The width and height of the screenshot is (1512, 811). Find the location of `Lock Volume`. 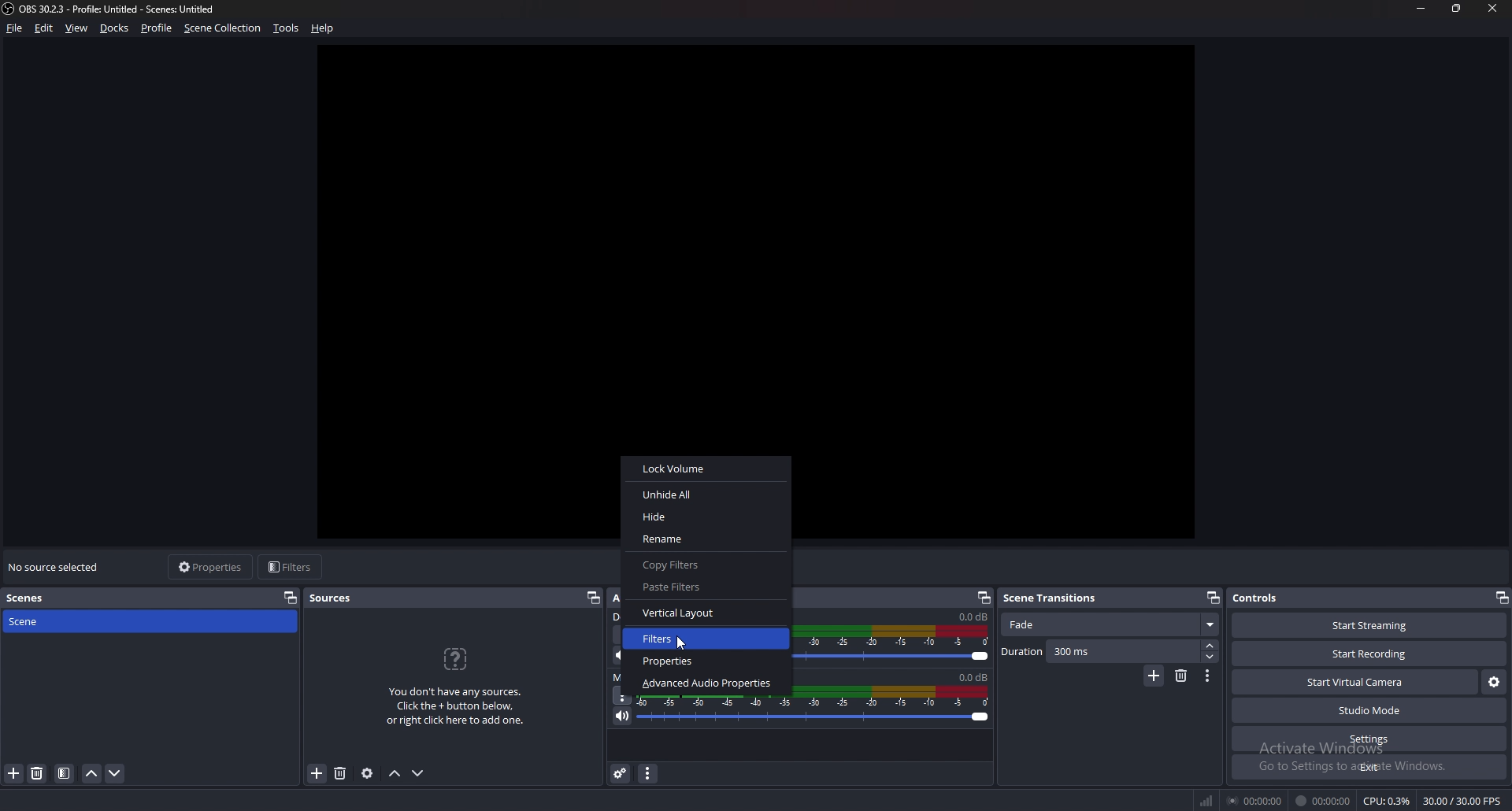

Lock Volume is located at coordinates (676, 468).